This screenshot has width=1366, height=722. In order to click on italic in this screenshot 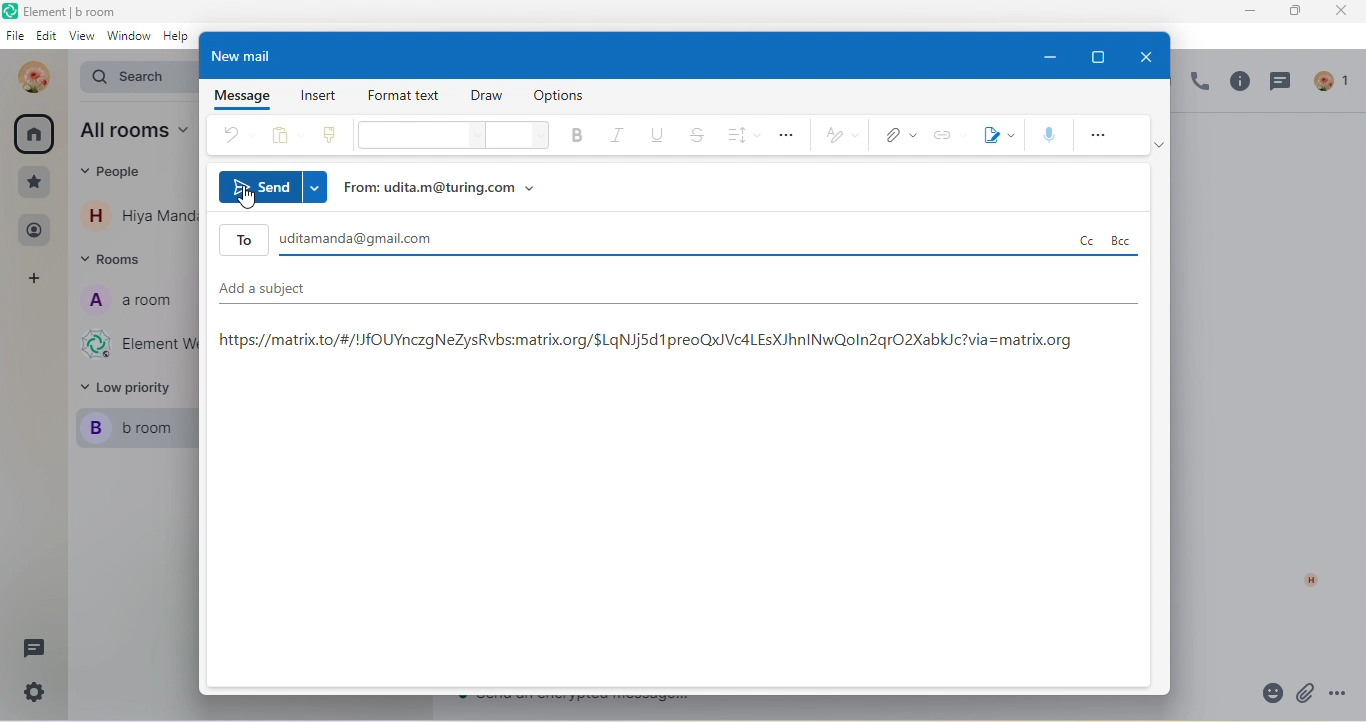, I will do `click(616, 137)`.